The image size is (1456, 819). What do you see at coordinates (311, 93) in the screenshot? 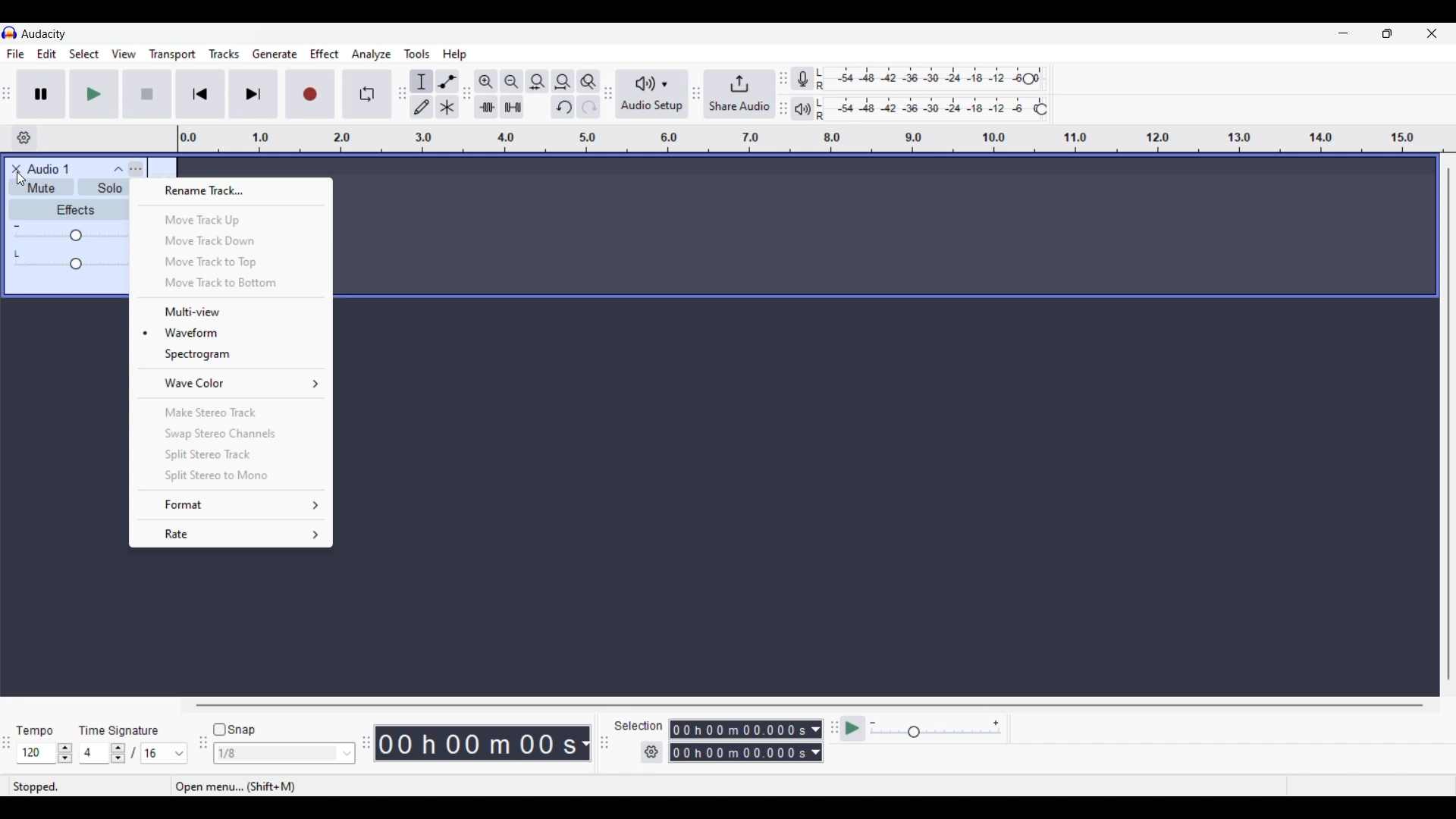
I see `Record/Record new track` at bounding box center [311, 93].